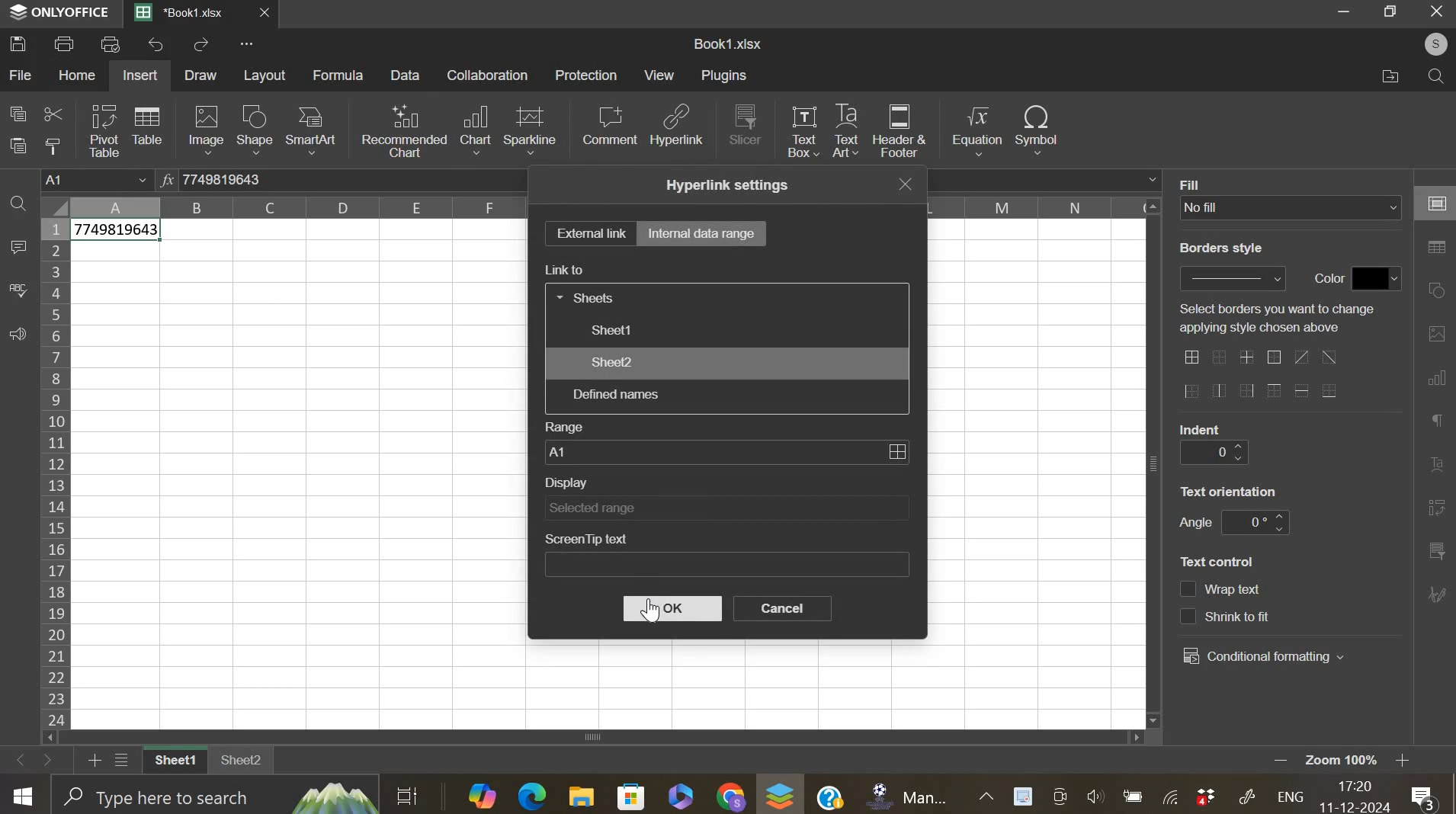  Describe the element at coordinates (723, 75) in the screenshot. I see `plugins` at that location.